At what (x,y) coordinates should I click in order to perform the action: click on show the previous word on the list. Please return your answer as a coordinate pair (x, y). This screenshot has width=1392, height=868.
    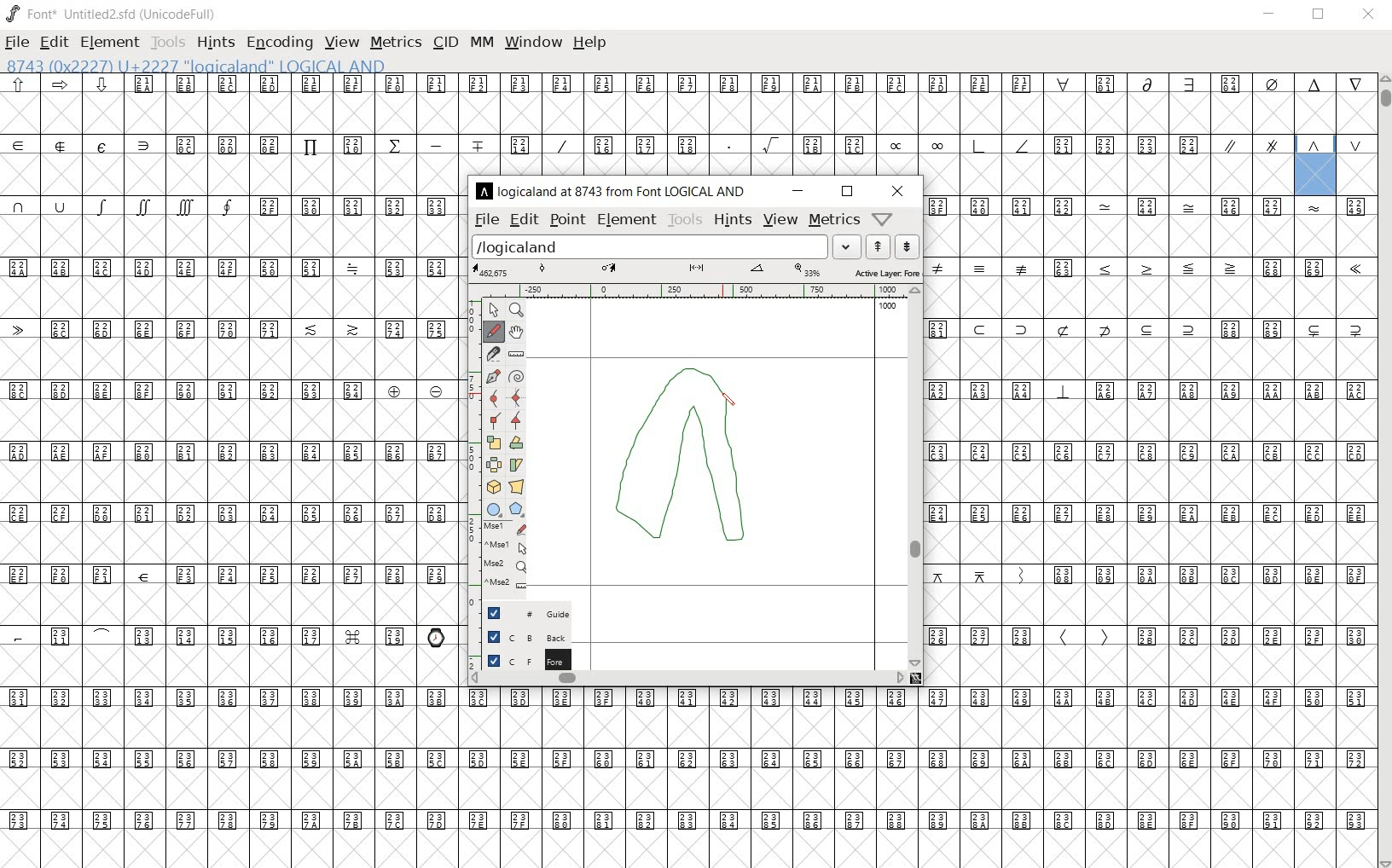
    Looking at the image, I should click on (907, 248).